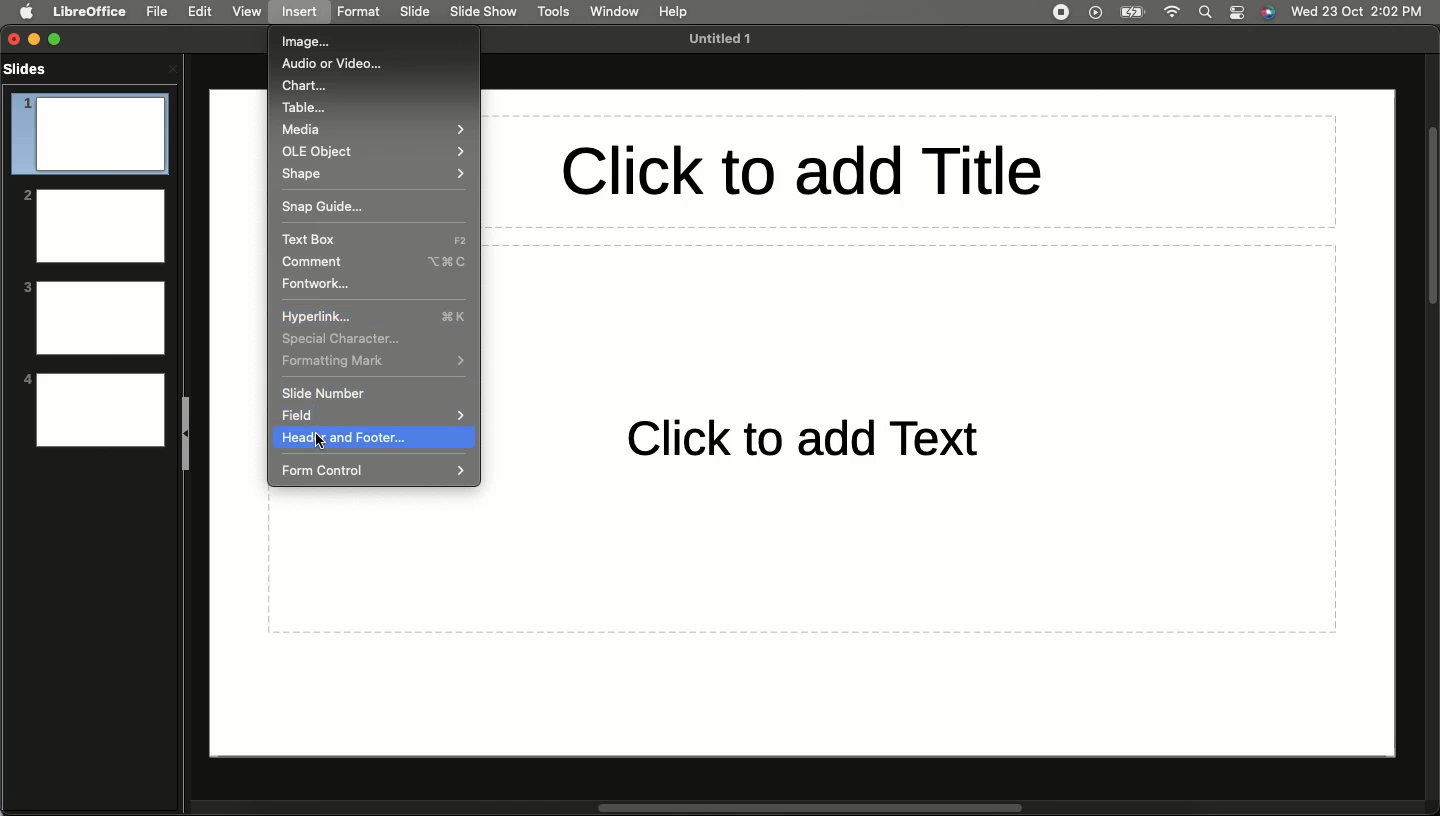  What do you see at coordinates (59, 37) in the screenshot?
I see `Expand` at bounding box center [59, 37].